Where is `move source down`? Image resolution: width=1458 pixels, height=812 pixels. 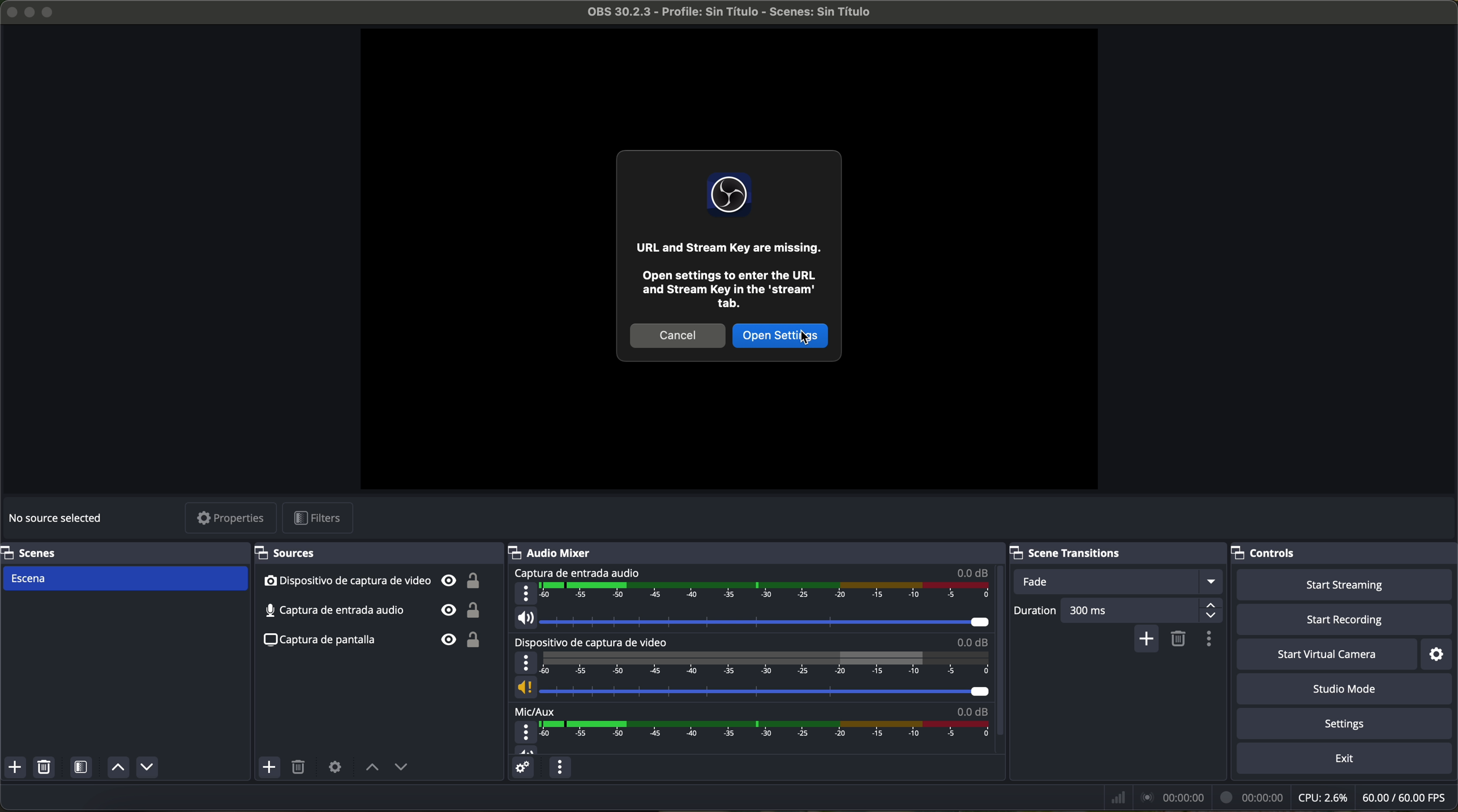
move source down is located at coordinates (401, 768).